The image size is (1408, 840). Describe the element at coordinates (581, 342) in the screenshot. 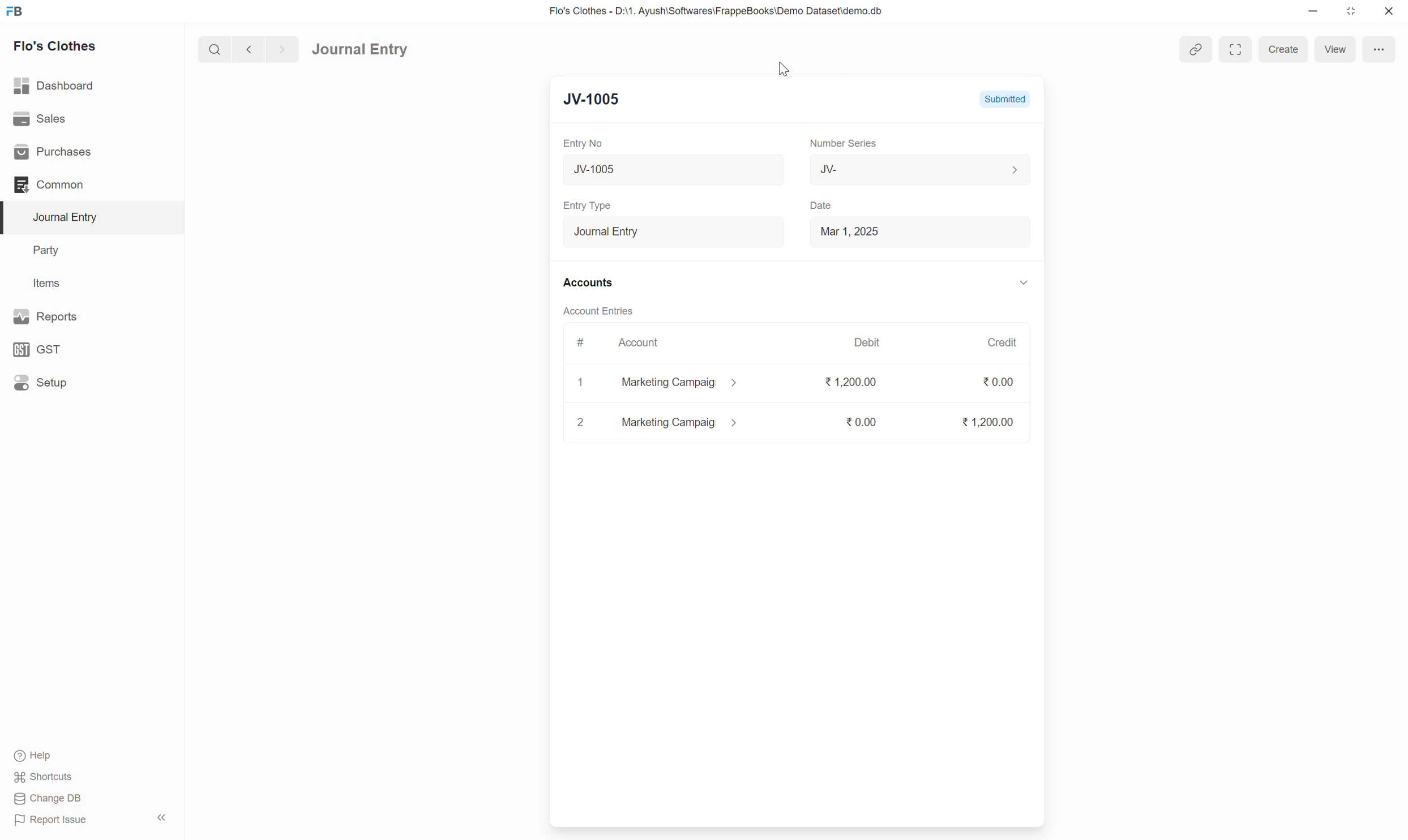

I see `#` at that location.